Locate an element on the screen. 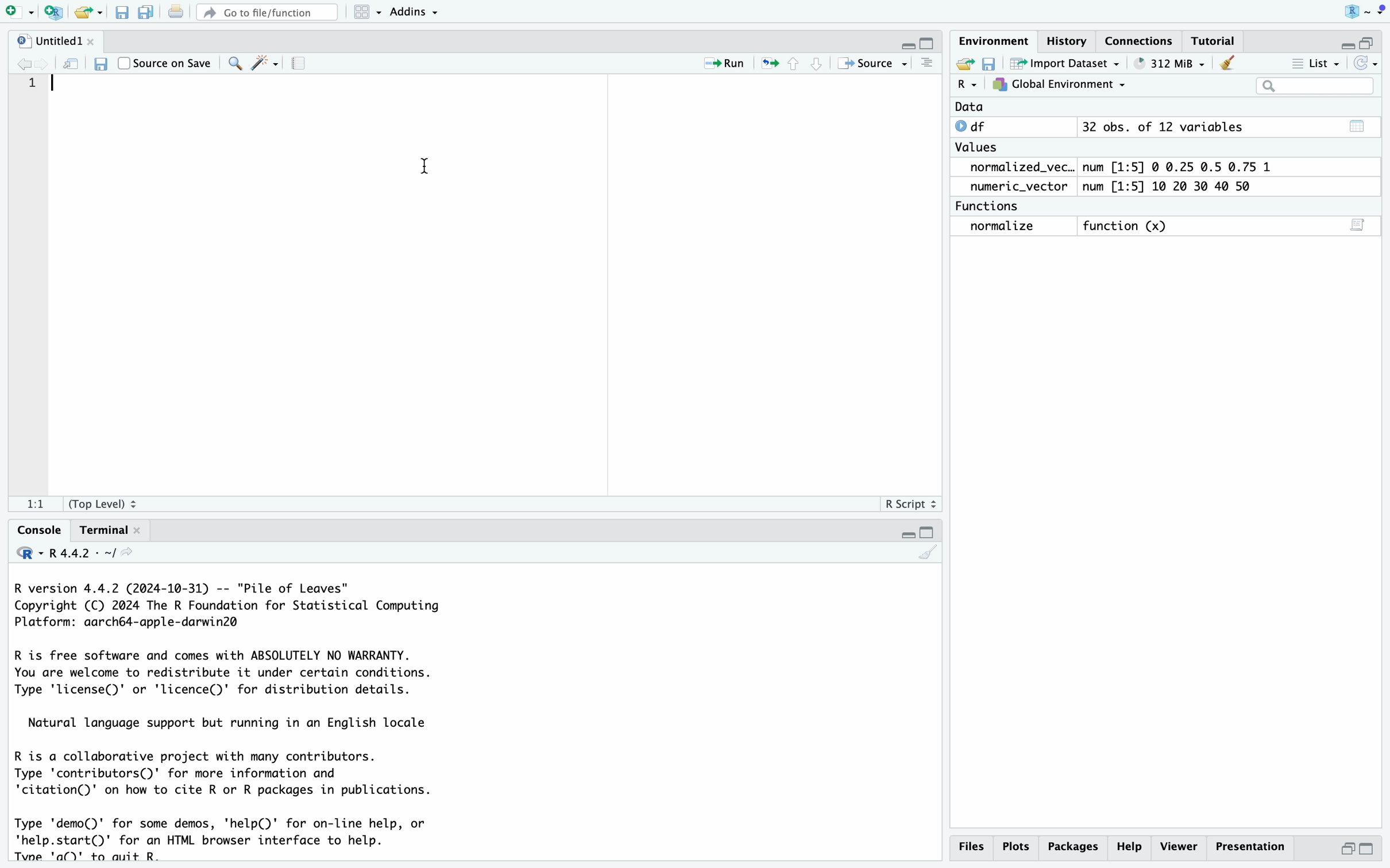 This screenshot has height=868, width=1390. clear console is located at coordinates (921, 555).